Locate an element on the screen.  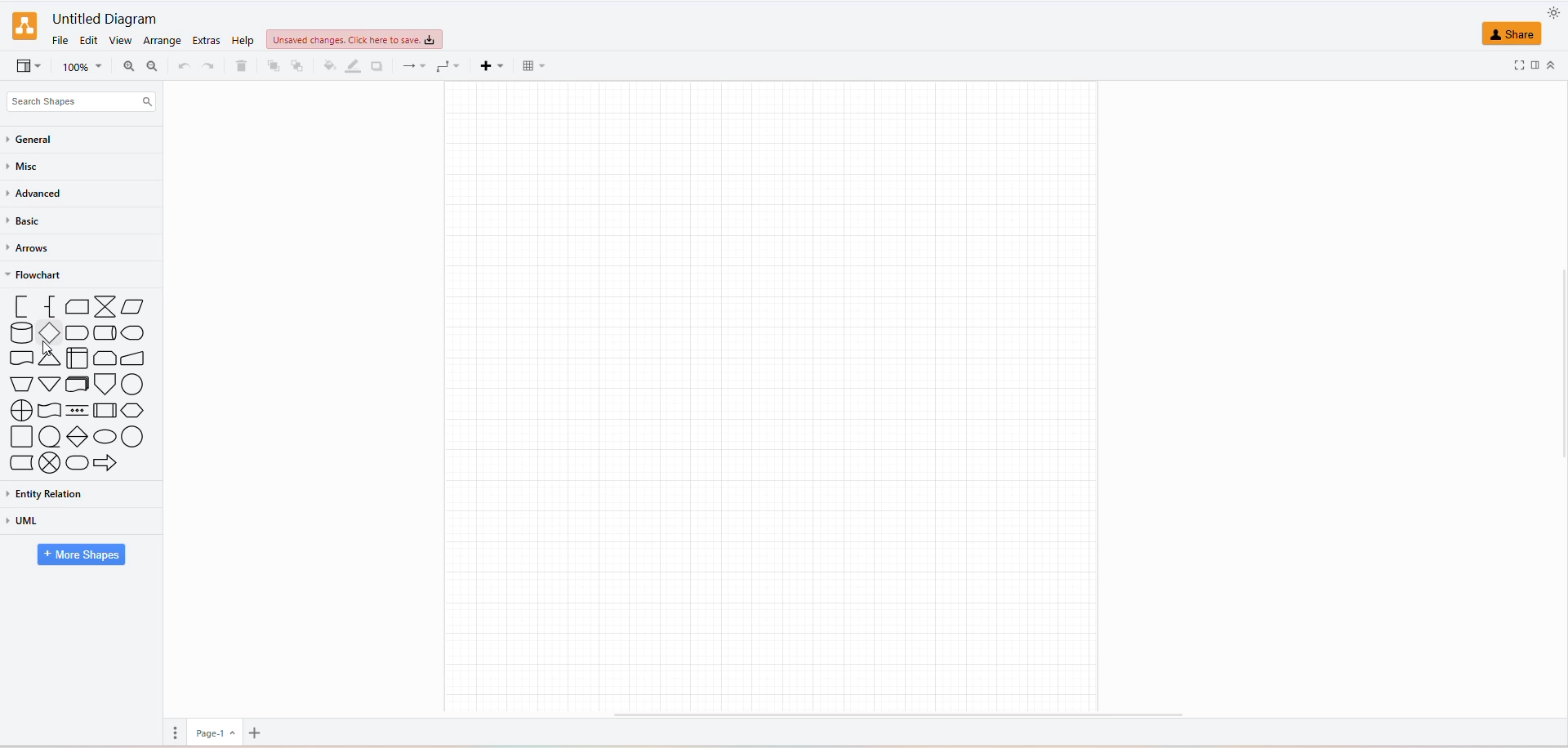
MISC is located at coordinates (26, 166).